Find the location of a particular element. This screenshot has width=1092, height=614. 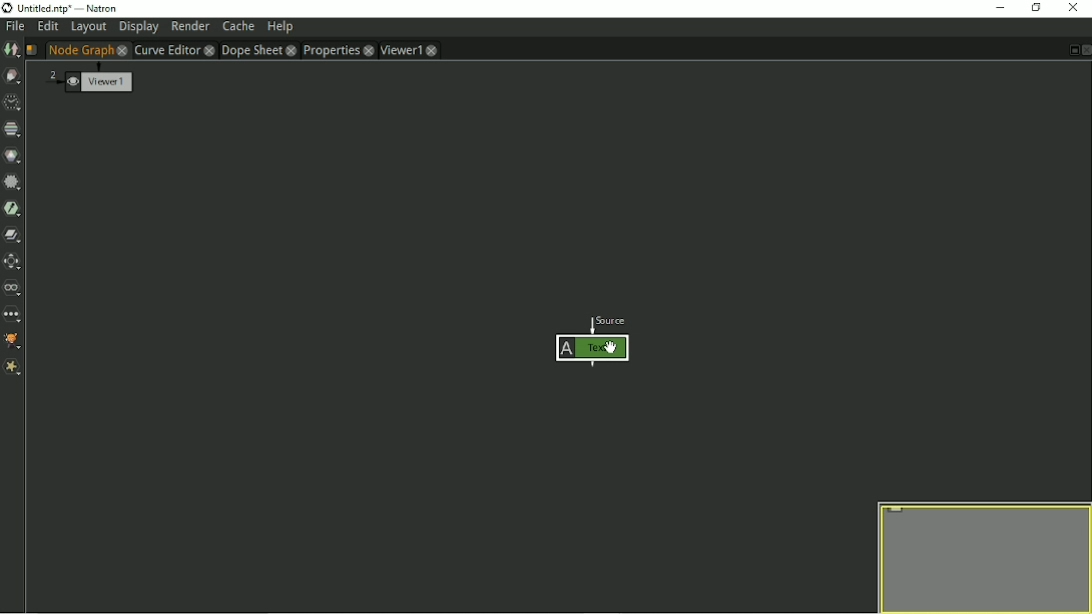

Dope Sheet is located at coordinates (250, 50).